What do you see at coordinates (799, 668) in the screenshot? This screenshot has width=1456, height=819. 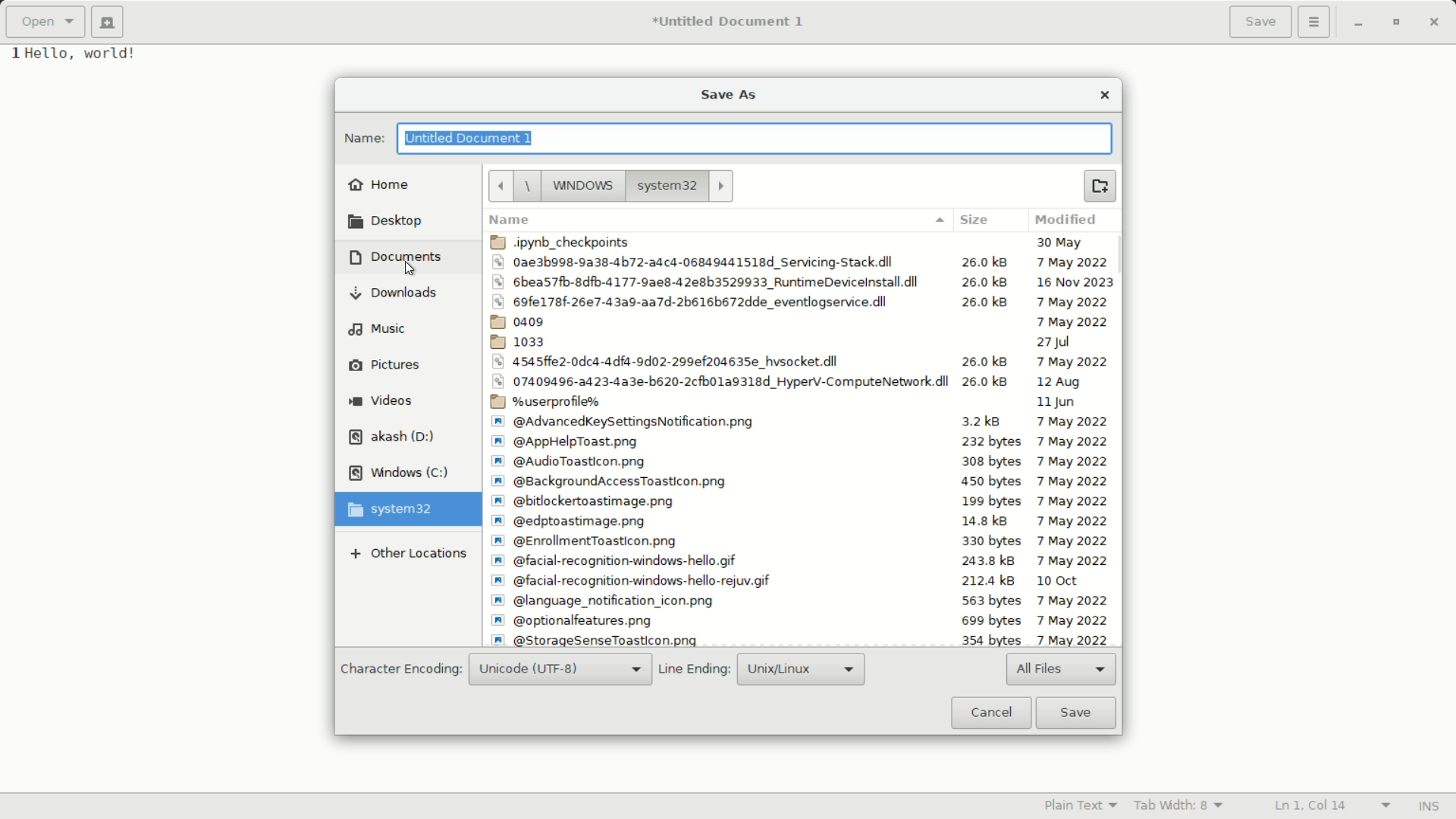 I see `line Ending dropdown enu` at bounding box center [799, 668].